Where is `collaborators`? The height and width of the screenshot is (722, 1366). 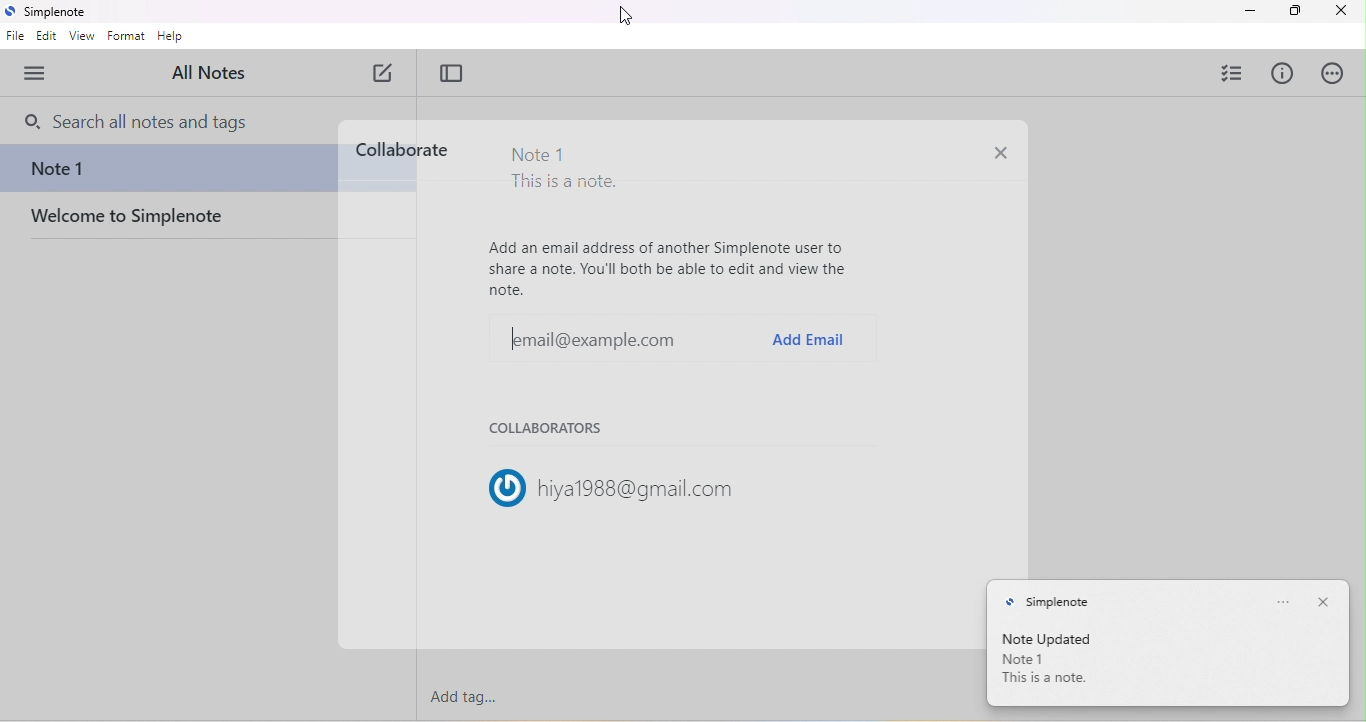
collaborators is located at coordinates (552, 431).